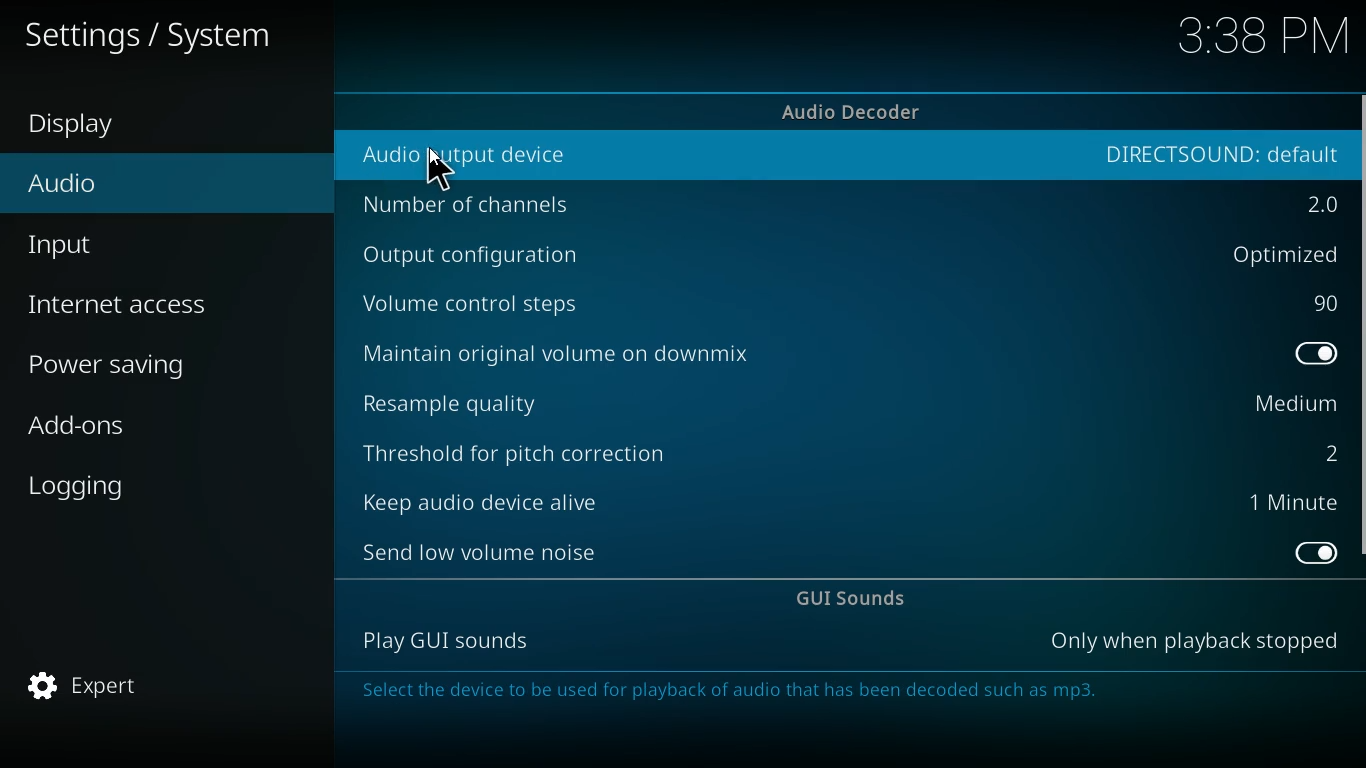 The image size is (1366, 768). Describe the element at coordinates (1326, 451) in the screenshot. I see `option` at that location.